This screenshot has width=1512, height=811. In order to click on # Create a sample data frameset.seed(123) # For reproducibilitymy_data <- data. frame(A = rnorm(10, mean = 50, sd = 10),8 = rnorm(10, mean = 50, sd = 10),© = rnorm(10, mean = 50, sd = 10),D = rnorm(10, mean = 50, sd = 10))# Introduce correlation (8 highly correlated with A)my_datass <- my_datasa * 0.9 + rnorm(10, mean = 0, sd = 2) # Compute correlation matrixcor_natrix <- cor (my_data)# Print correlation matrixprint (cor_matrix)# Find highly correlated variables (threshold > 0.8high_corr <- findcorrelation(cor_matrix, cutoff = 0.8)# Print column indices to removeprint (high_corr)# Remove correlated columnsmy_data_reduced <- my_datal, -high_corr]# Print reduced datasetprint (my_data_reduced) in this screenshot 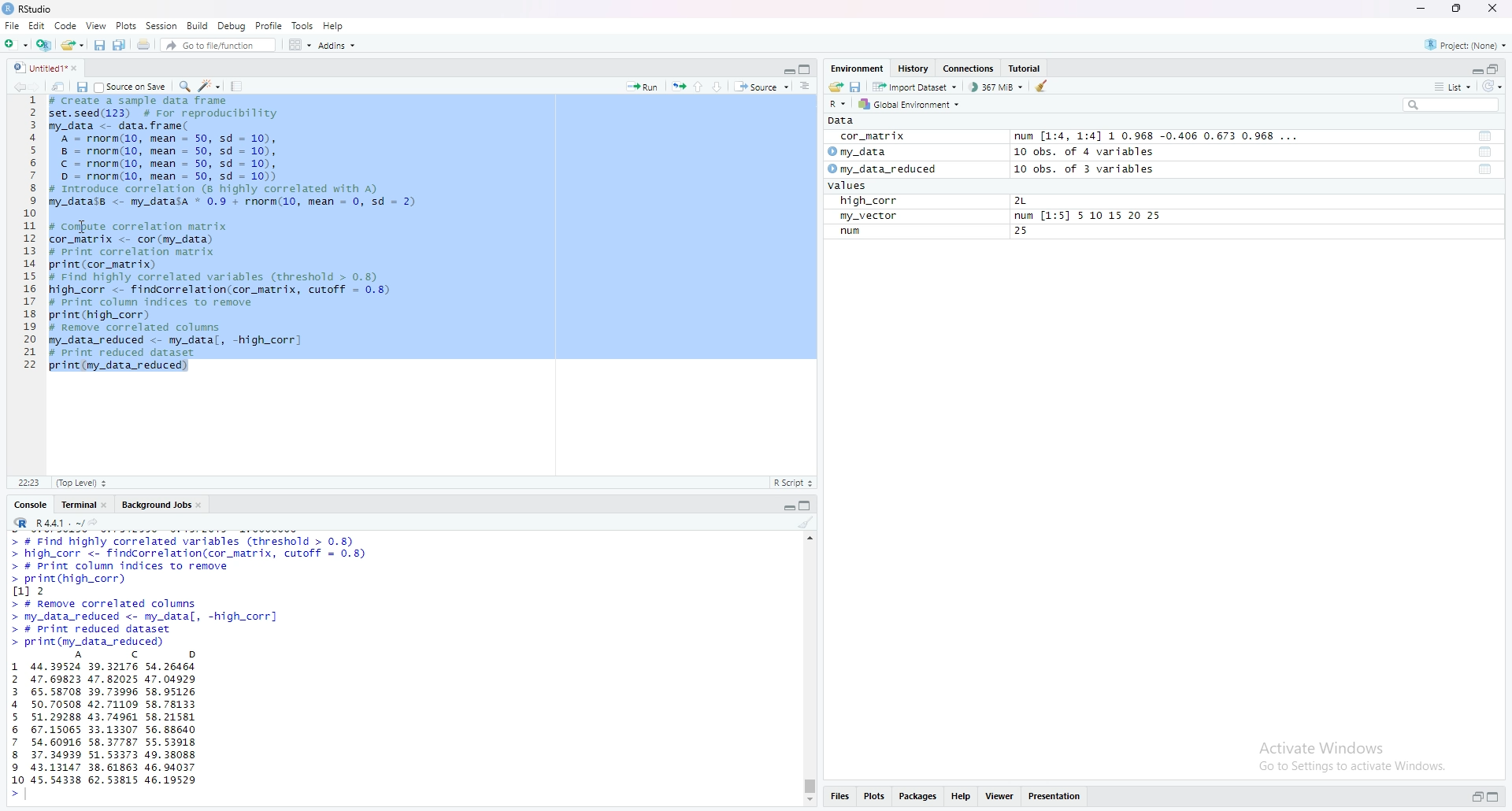, I will do `click(263, 235)`.